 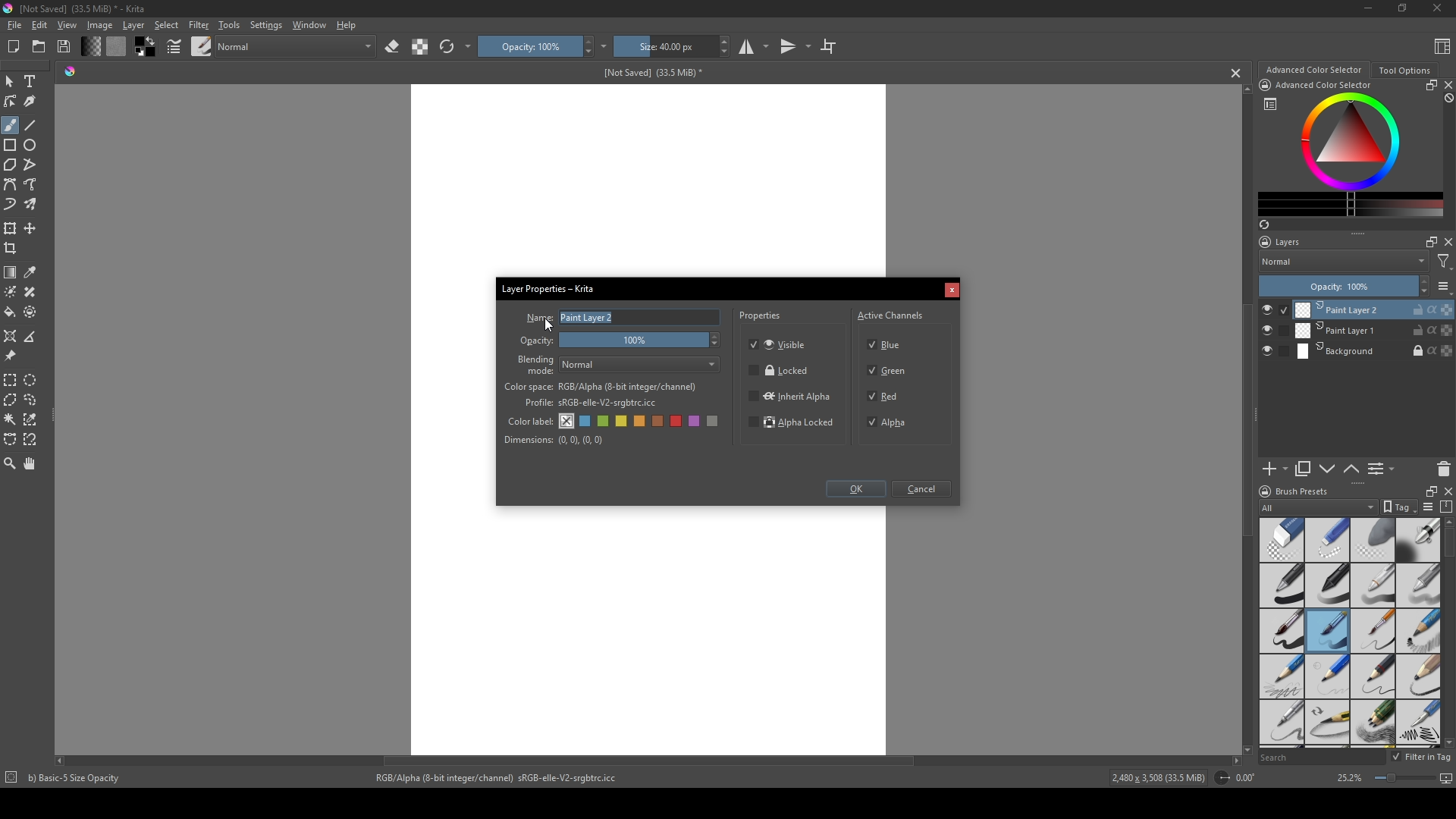 I want to click on soft eraser, so click(x=1373, y=539).